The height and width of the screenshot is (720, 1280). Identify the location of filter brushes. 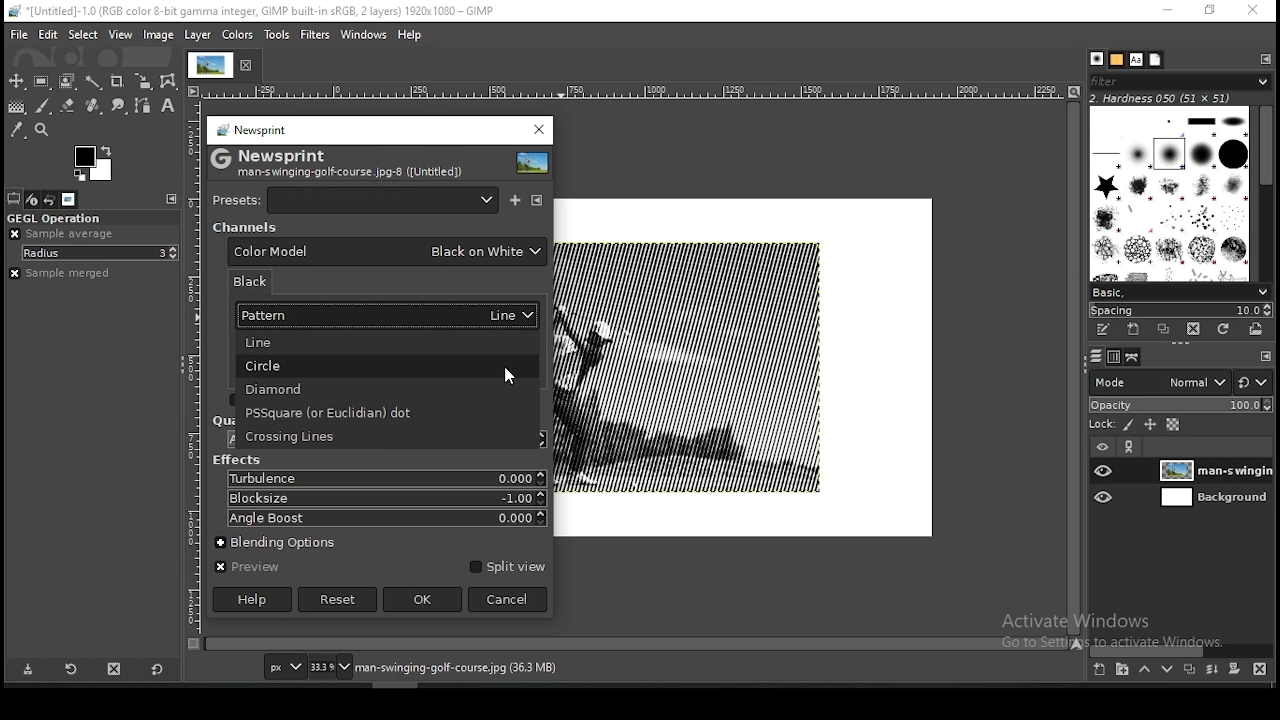
(1179, 82).